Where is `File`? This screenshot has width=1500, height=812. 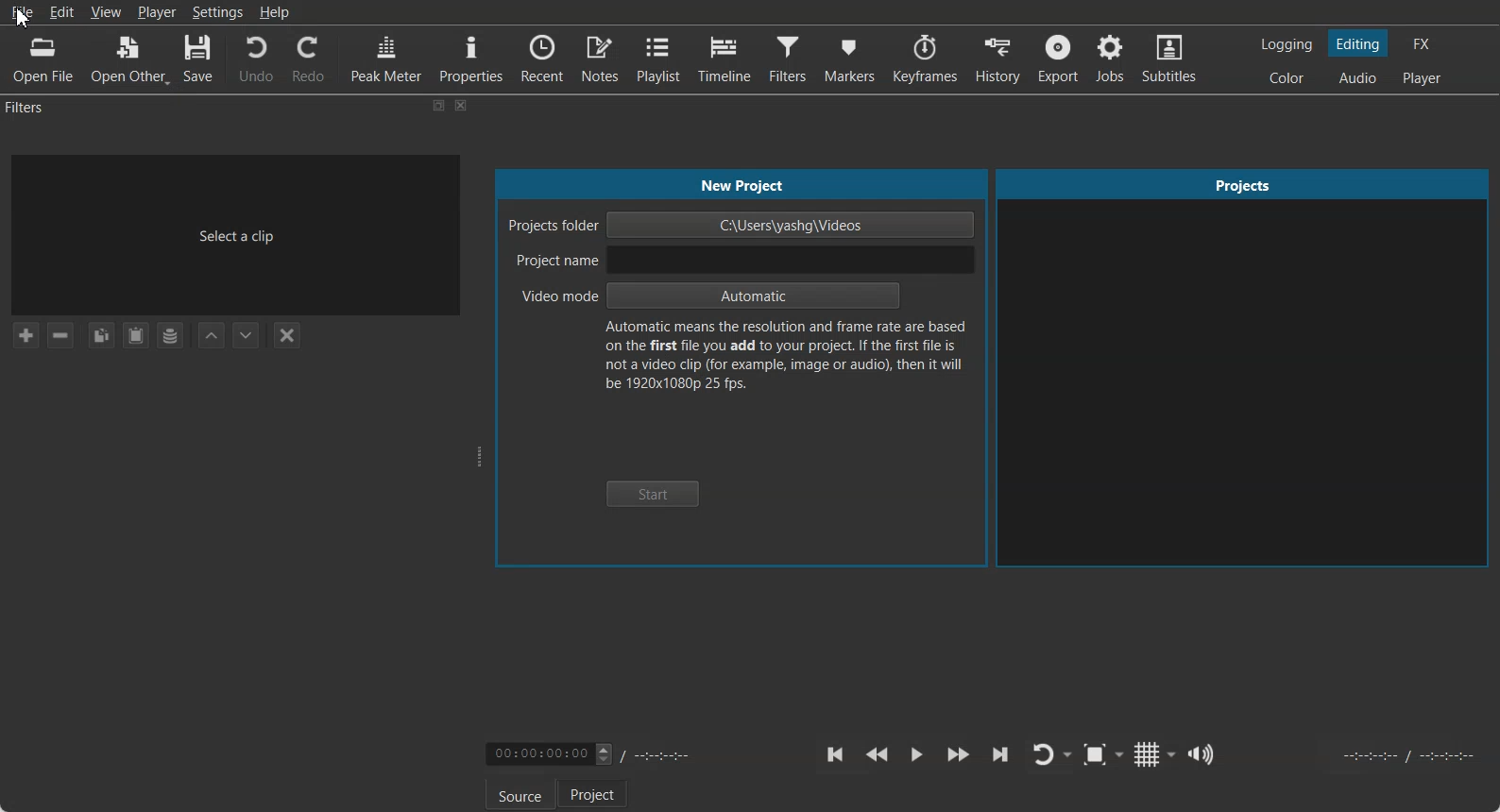 File is located at coordinates (22, 12).